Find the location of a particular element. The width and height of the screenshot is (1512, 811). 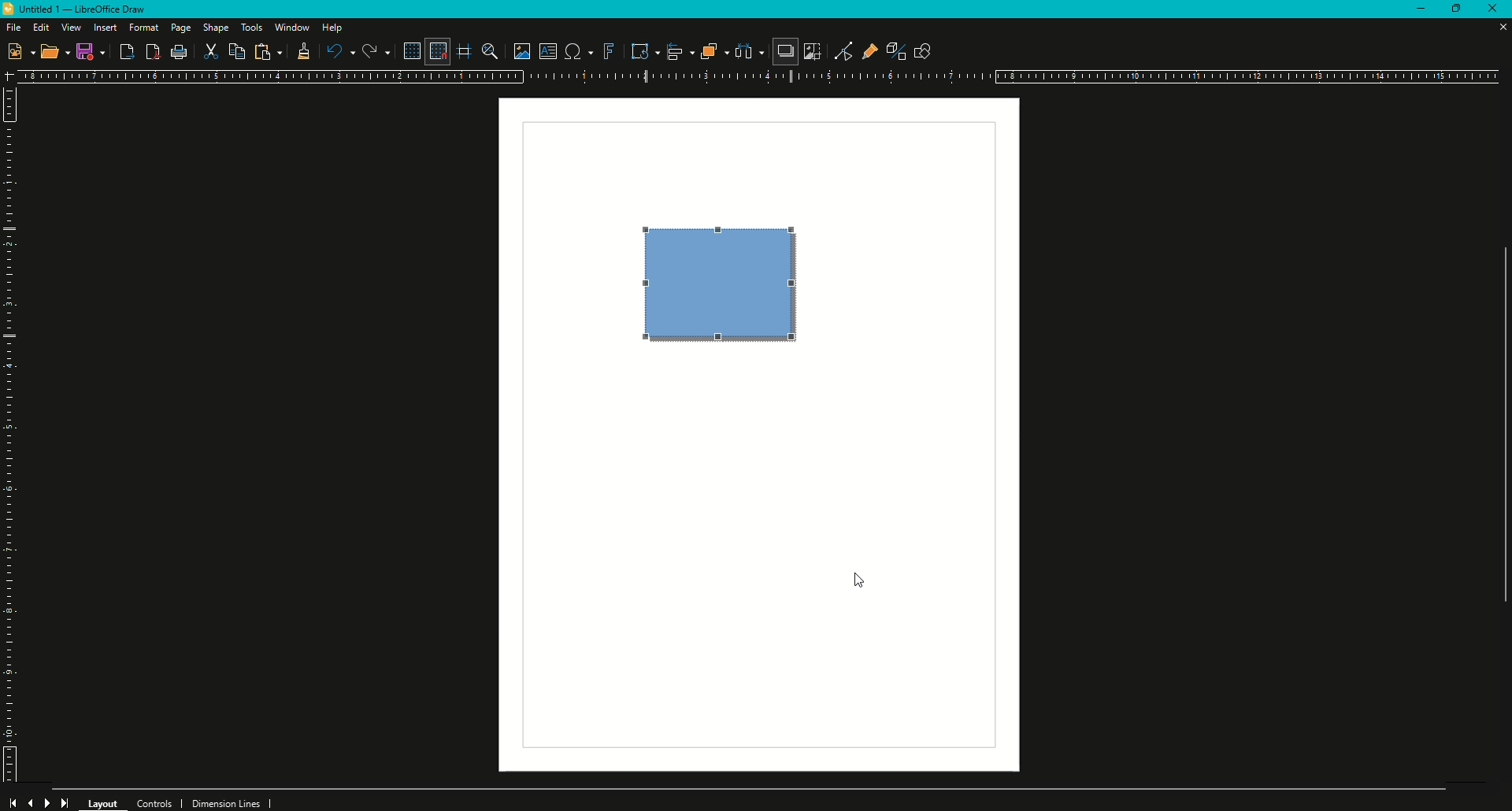

Help is located at coordinates (334, 28).